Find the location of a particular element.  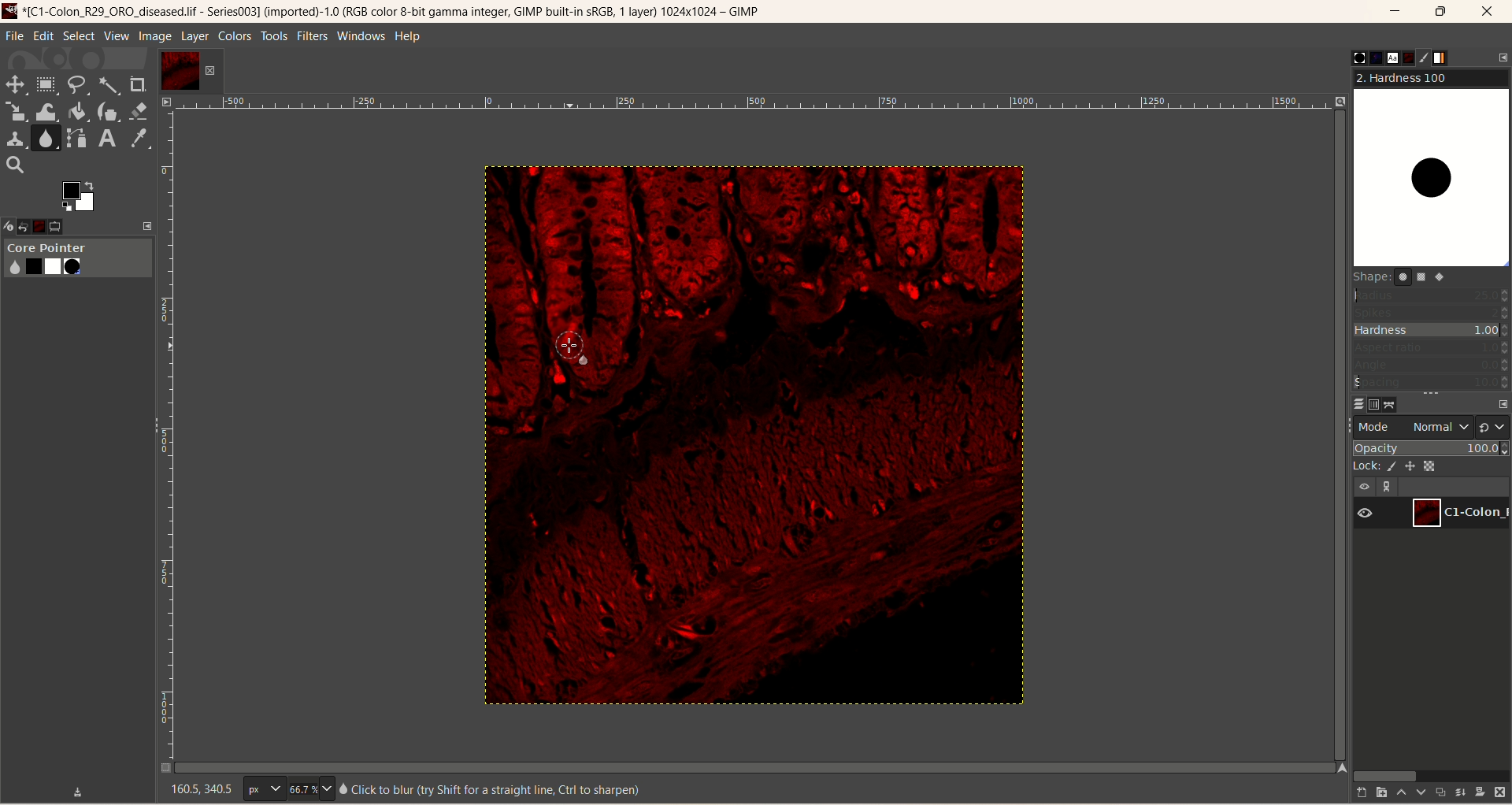

tool option is located at coordinates (70, 228).